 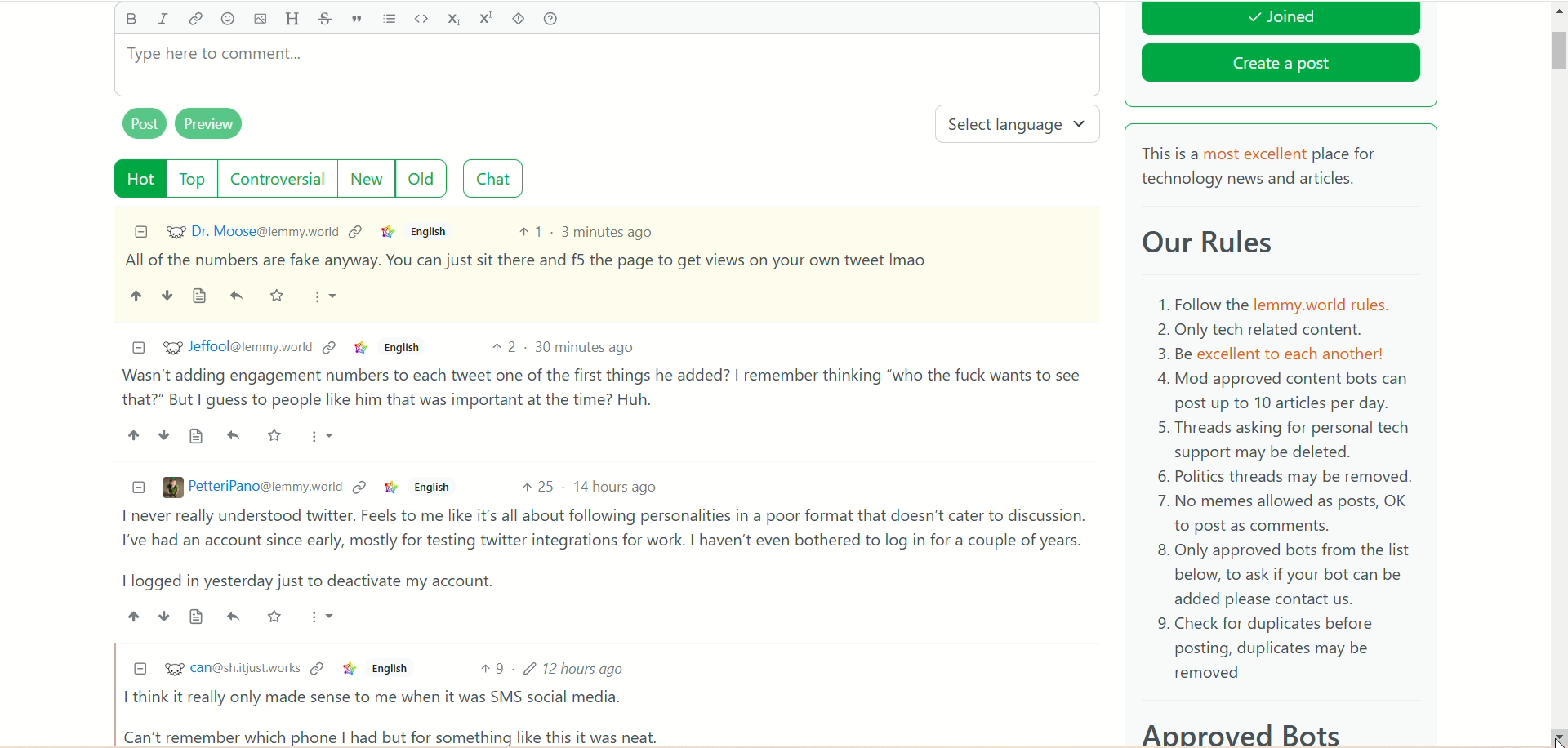 What do you see at coordinates (401, 347) in the screenshot?
I see `English` at bounding box center [401, 347].